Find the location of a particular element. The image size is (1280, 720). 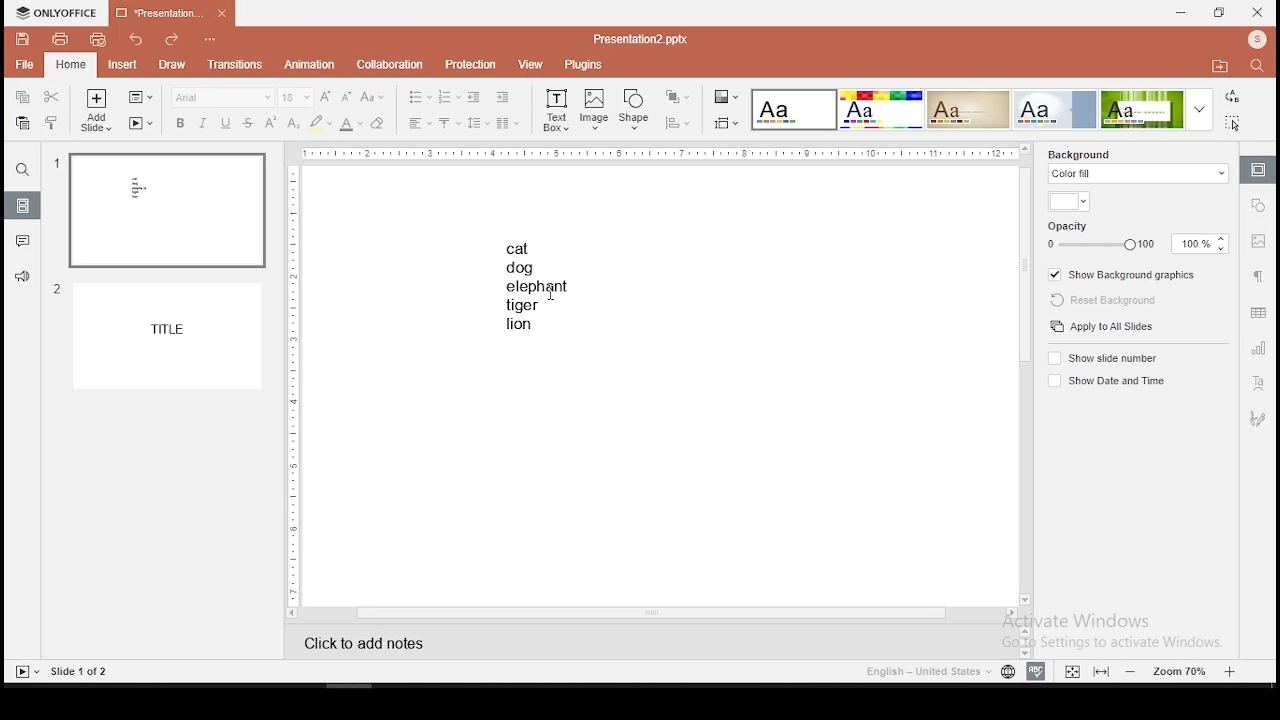

plugins is located at coordinates (584, 65).